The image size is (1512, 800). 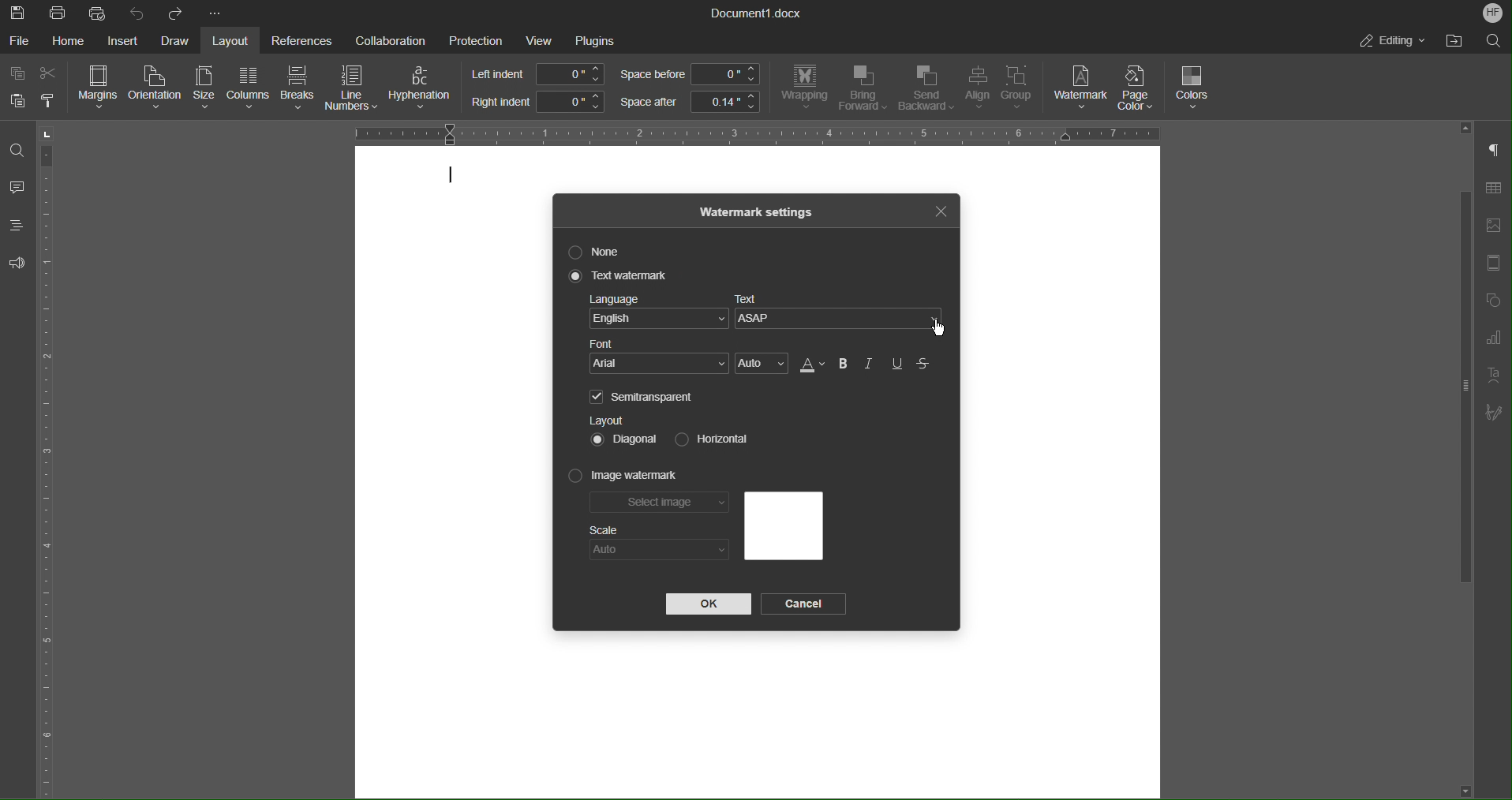 What do you see at coordinates (50, 101) in the screenshot?
I see `Copy Style` at bounding box center [50, 101].